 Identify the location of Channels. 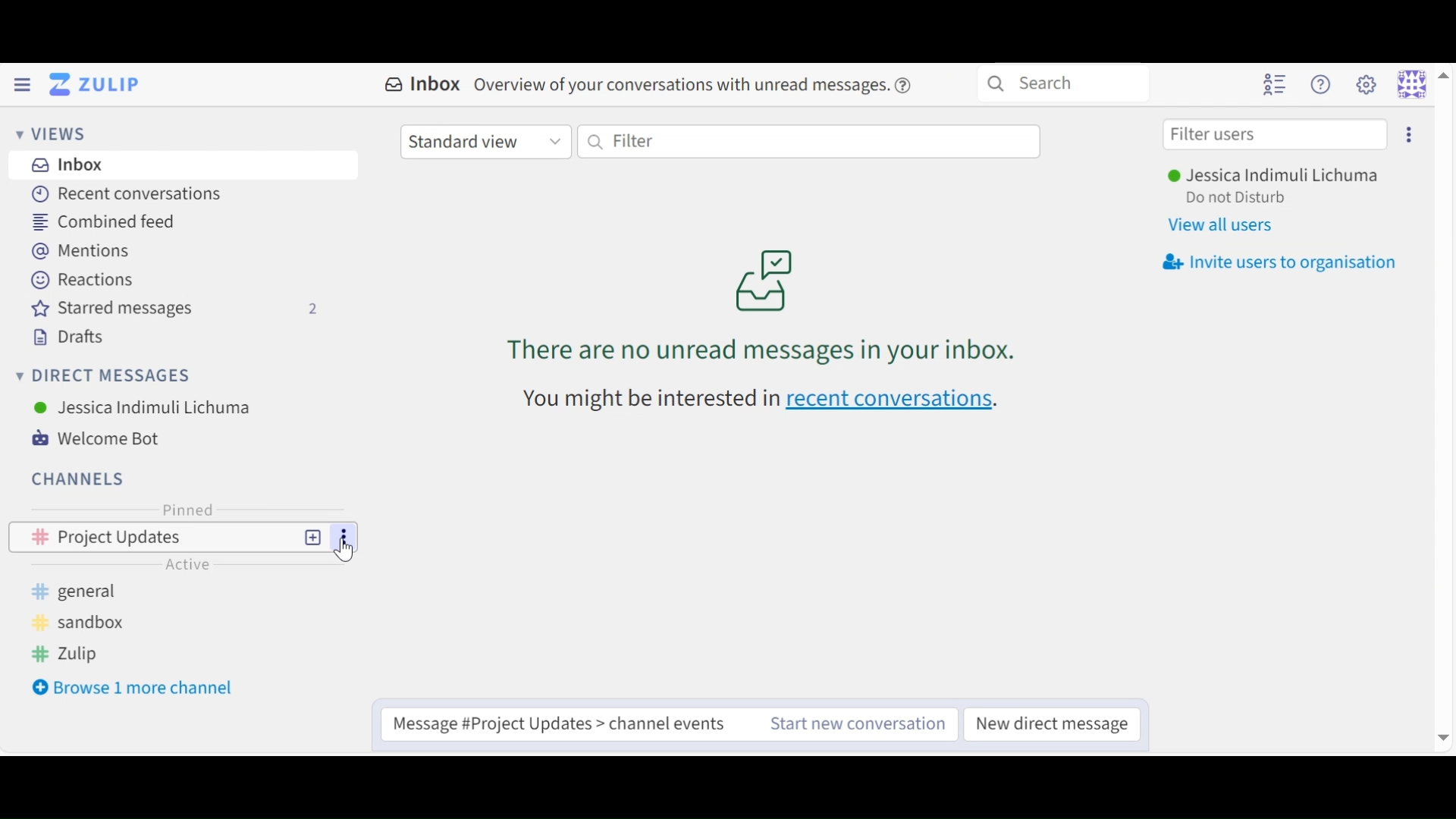
(80, 479).